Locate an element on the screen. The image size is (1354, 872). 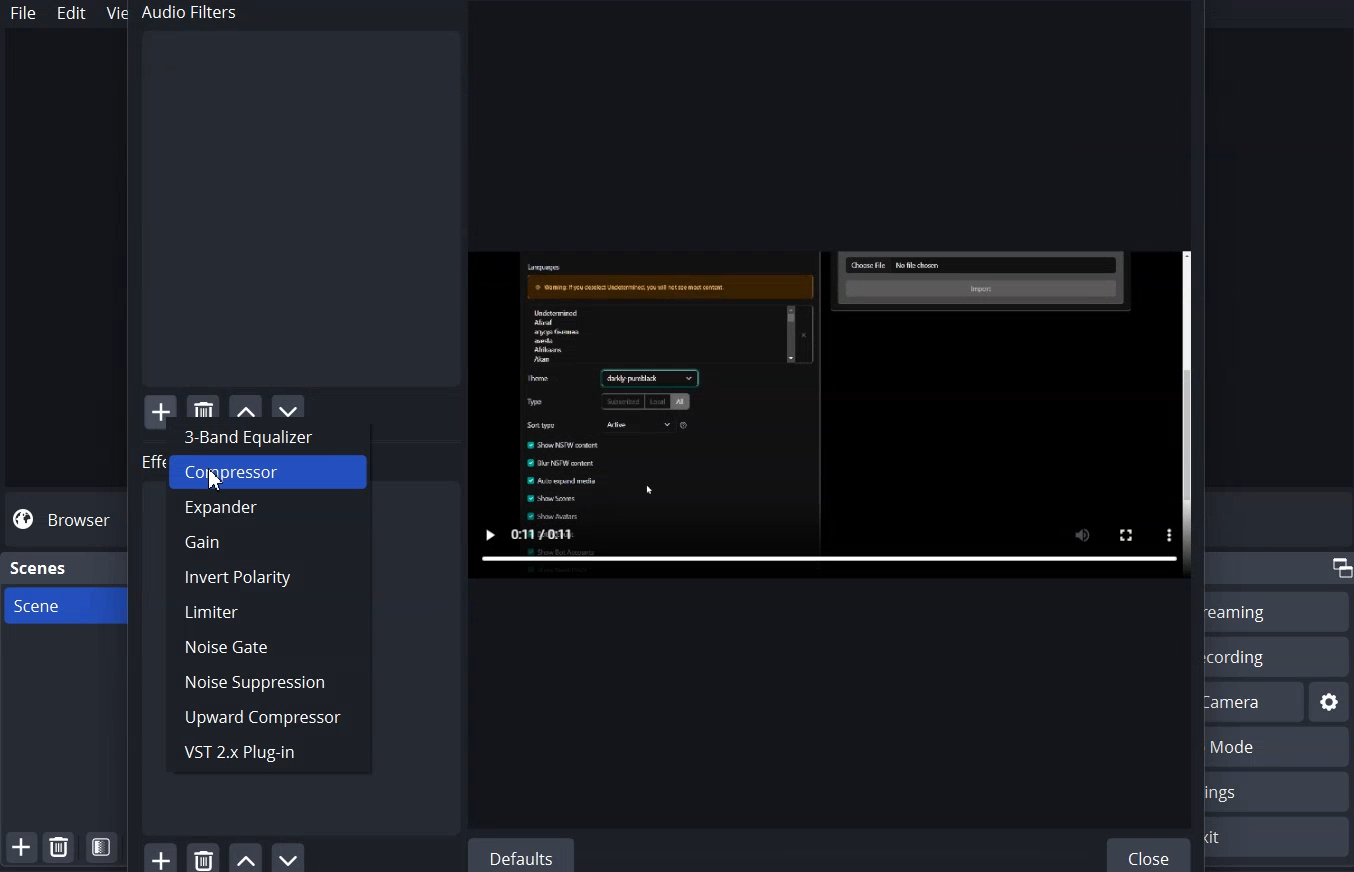
Move Filter Up is located at coordinates (246, 405).